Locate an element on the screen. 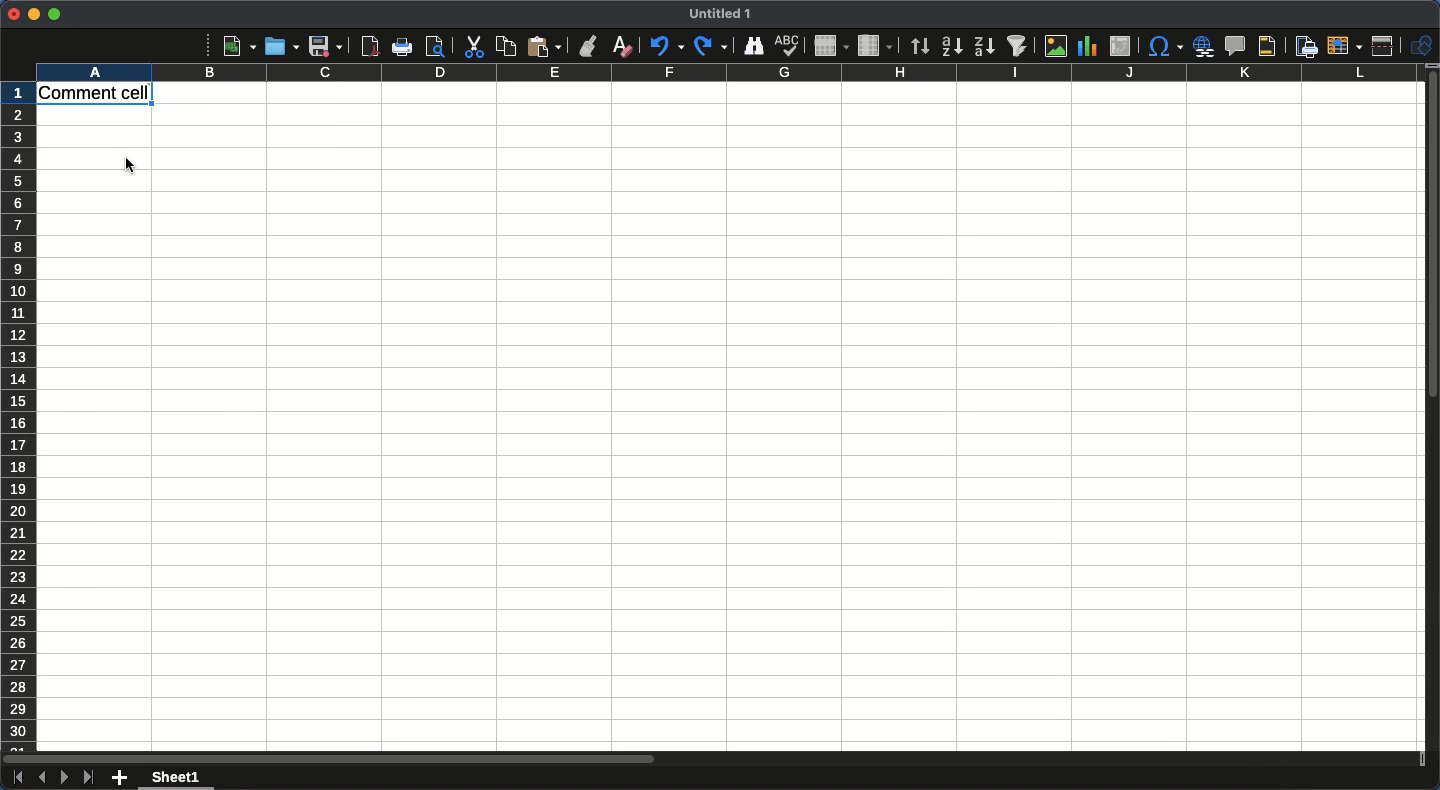  Autofilter is located at coordinates (1021, 44).